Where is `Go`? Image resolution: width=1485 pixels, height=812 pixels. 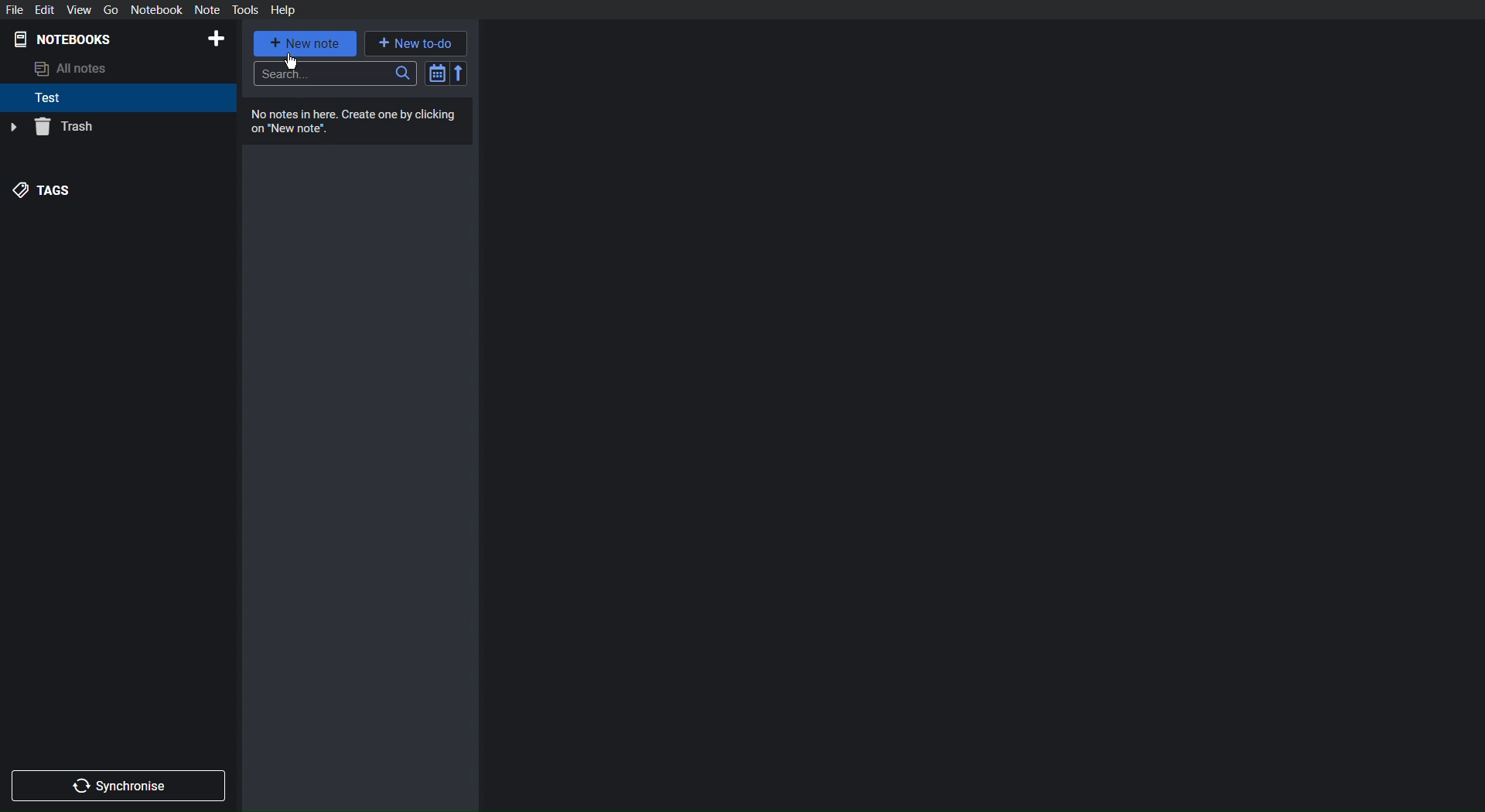 Go is located at coordinates (110, 10).